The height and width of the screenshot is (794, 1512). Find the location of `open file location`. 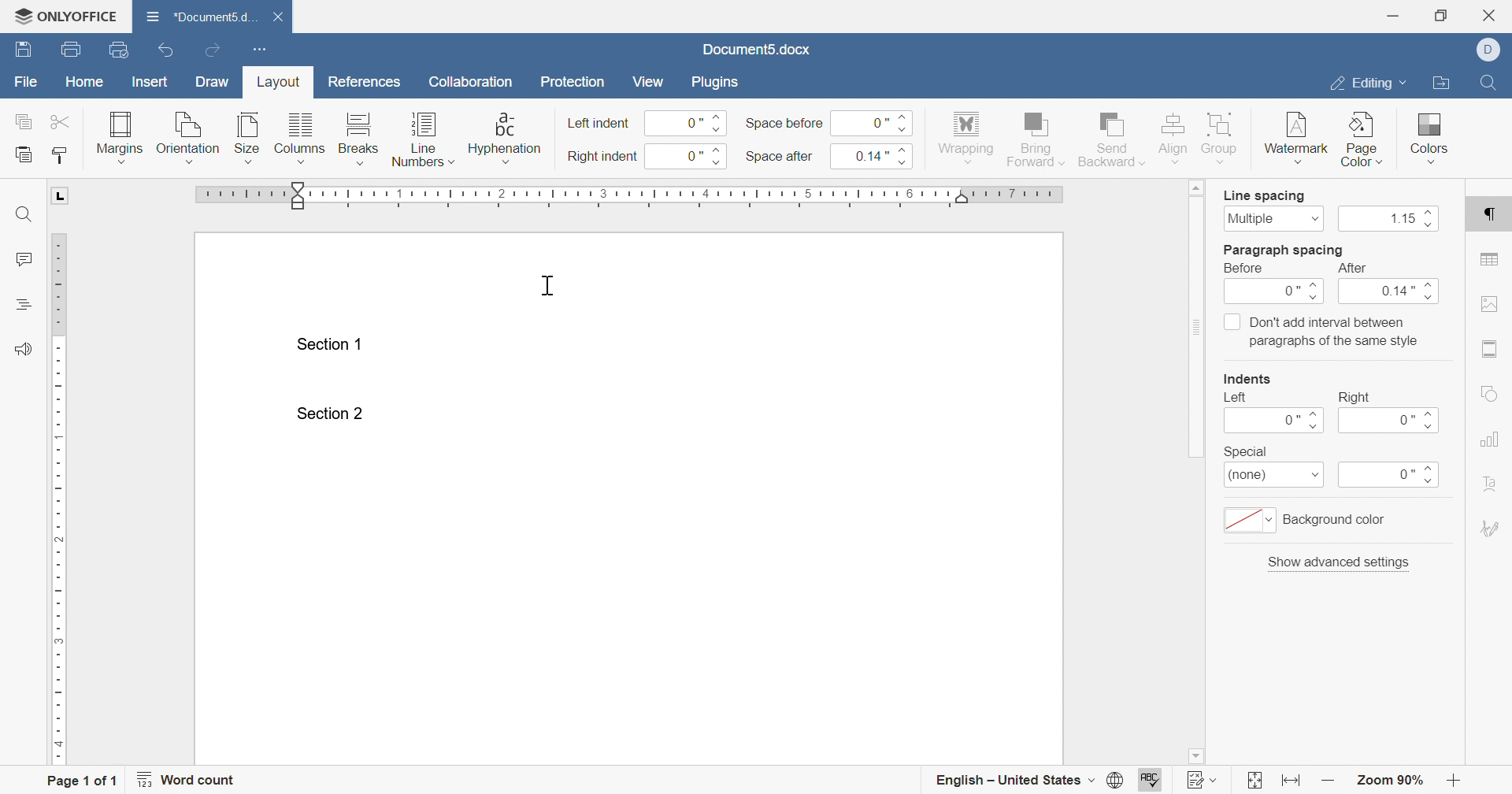

open file location is located at coordinates (1441, 83).